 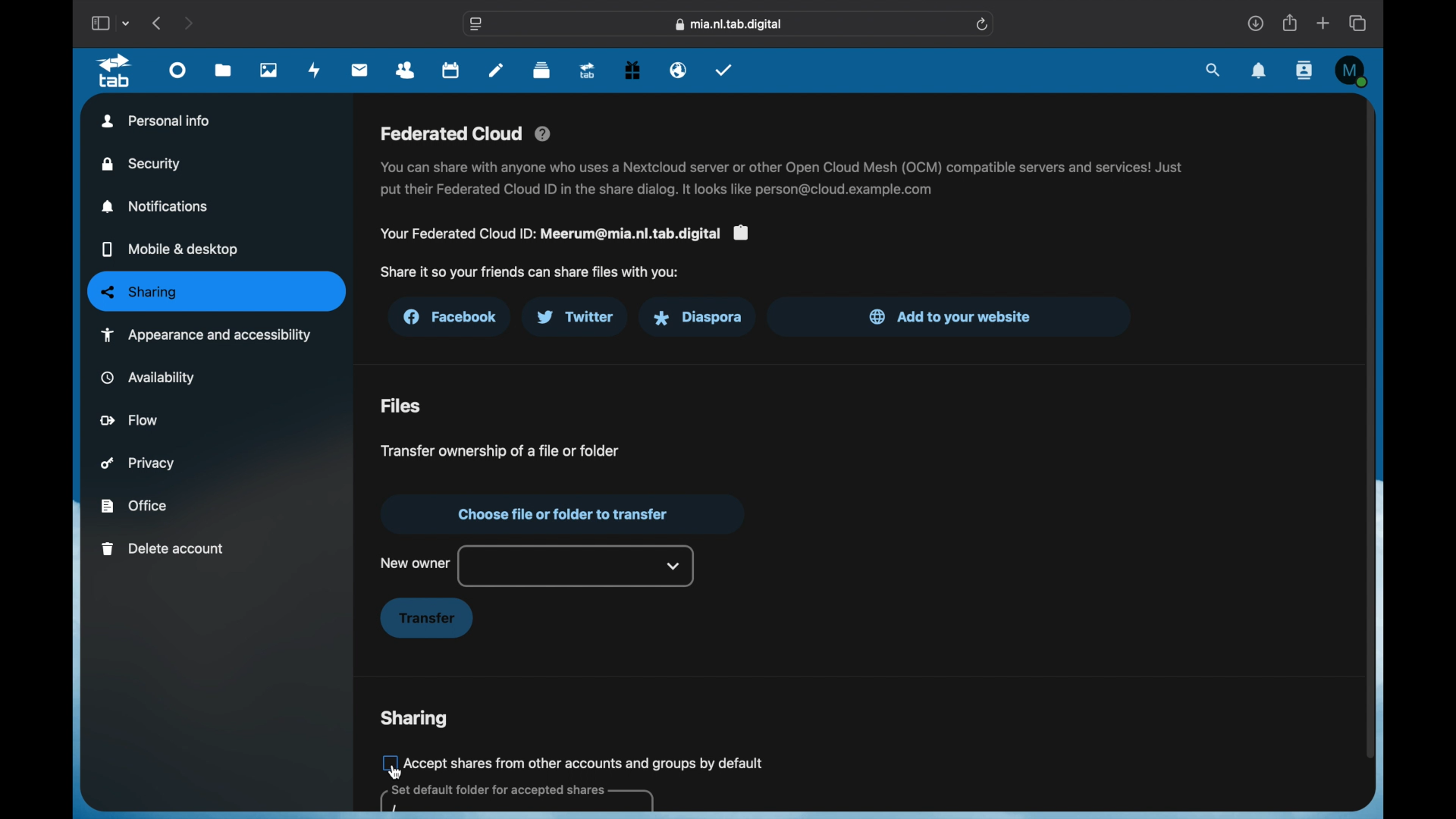 I want to click on share, so click(x=1291, y=23).